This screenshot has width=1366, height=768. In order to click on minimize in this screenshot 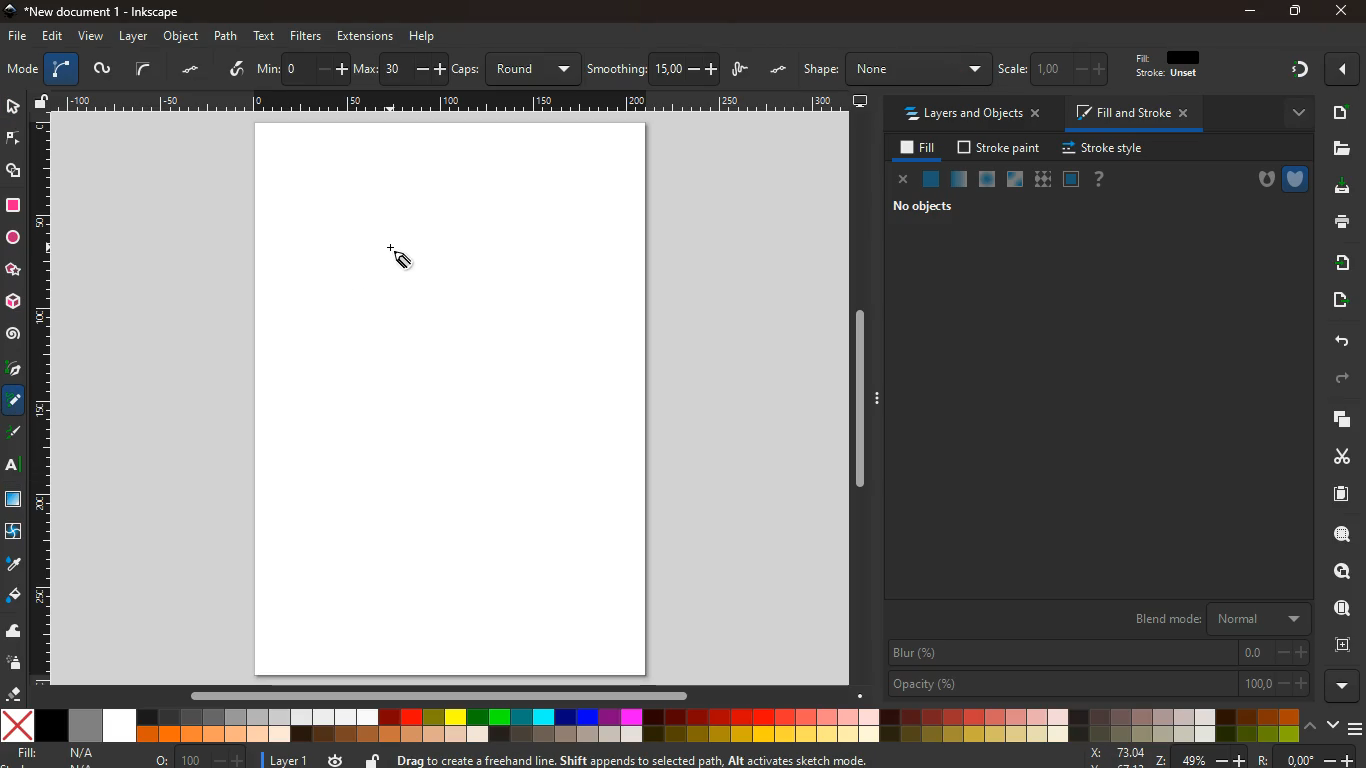, I will do `click(1252, 12)`.